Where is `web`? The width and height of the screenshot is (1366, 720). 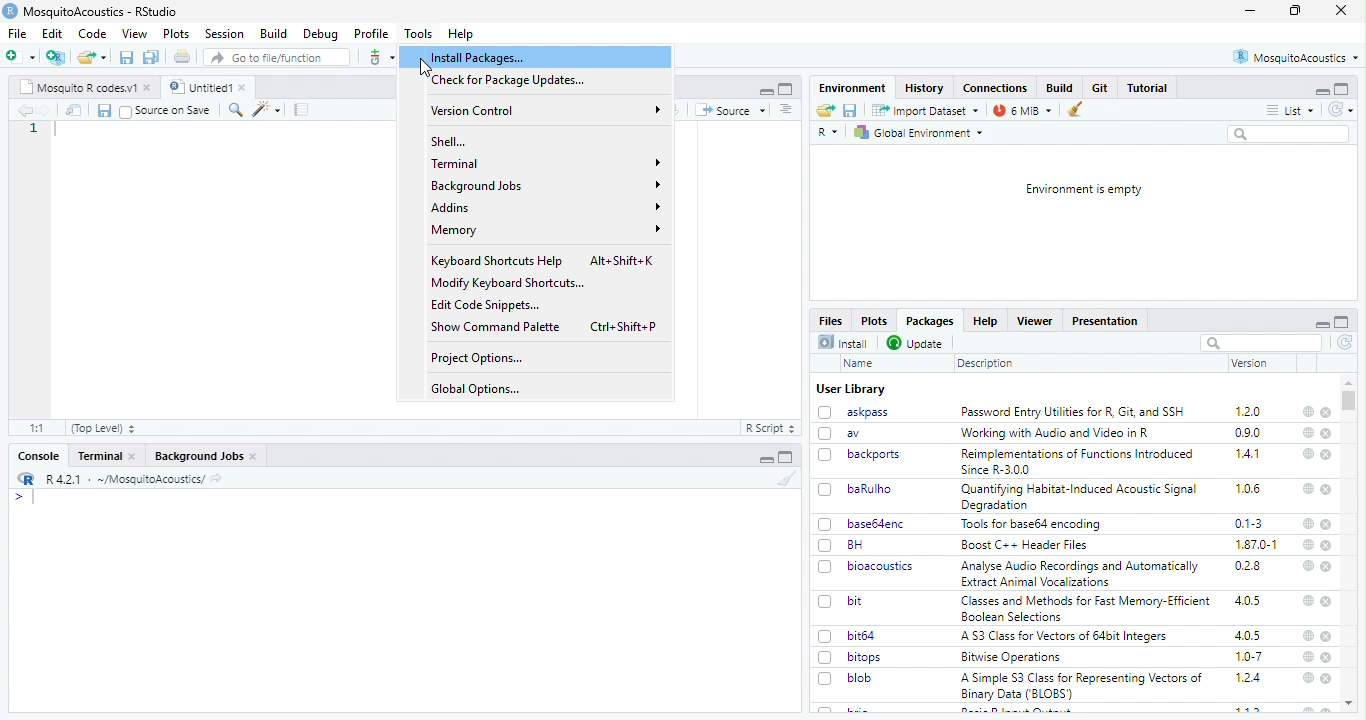
web is located at coordinates (1310, 489).